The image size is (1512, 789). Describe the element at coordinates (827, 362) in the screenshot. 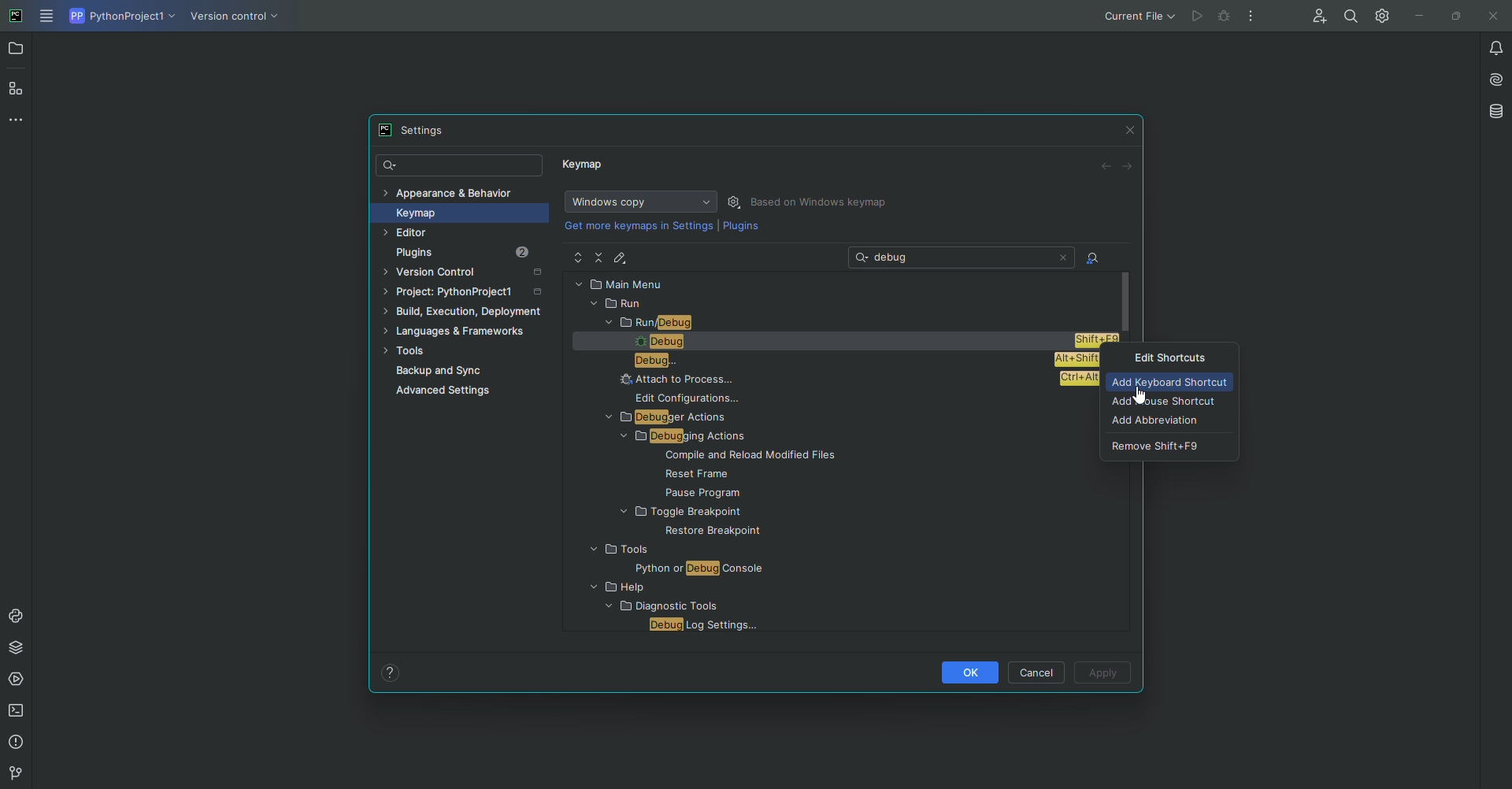

I see `DEBUG..` at that location.